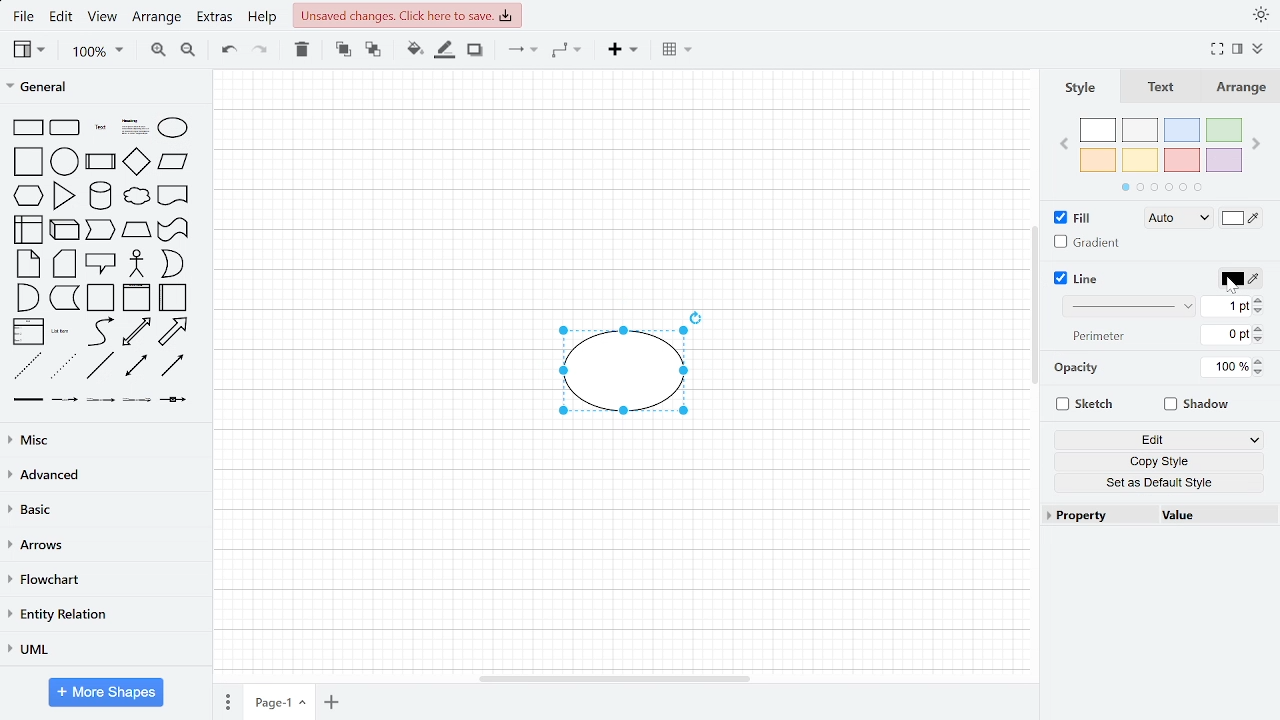  What do you see at coordinates (66, 128) in the screenshot?
I see `rounded rectangle` at bounding box center [66, 128].